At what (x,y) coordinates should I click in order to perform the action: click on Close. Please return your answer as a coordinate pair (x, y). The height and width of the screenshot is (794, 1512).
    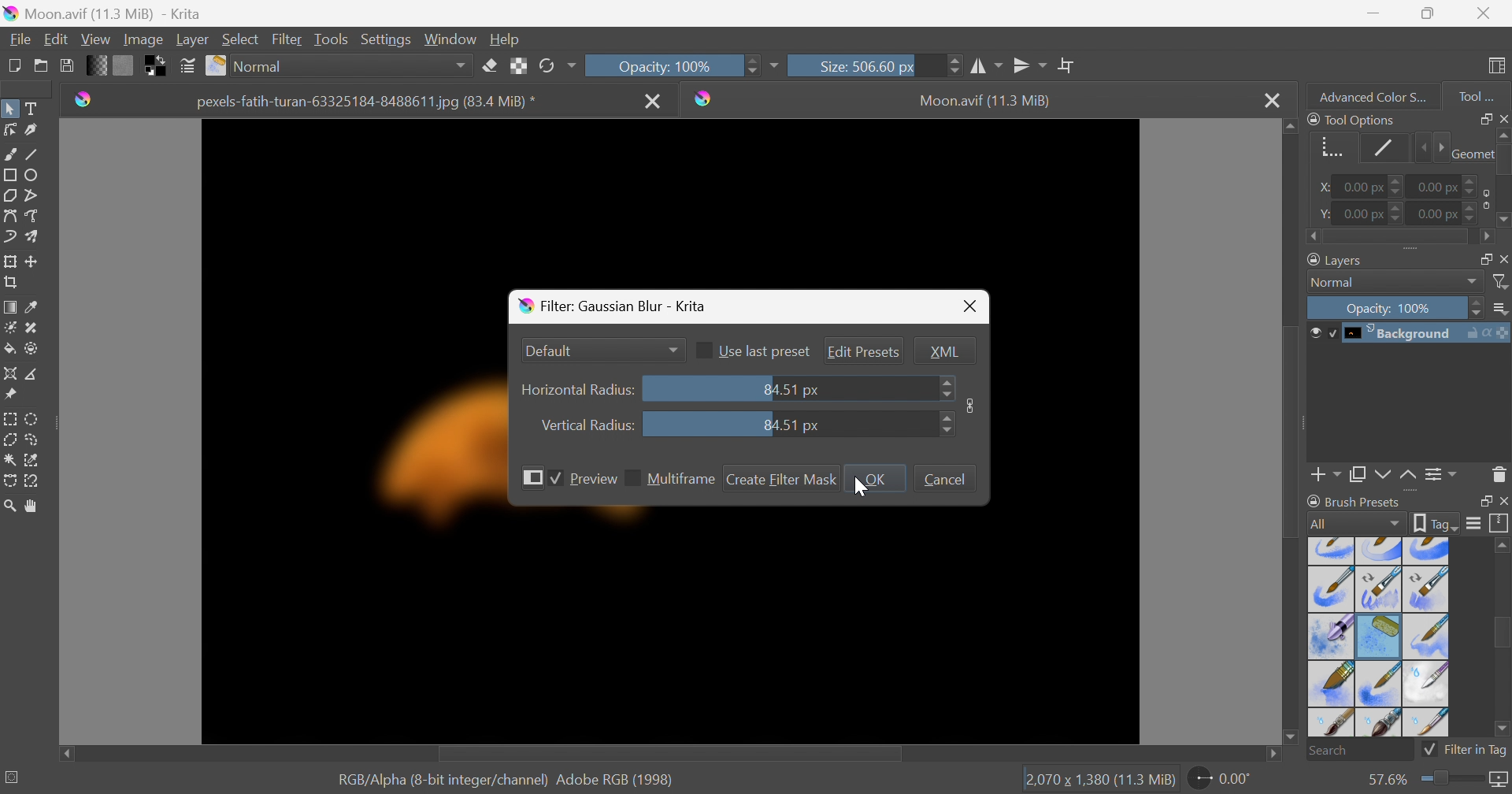
    Looking at the image, I should click on (1503, 118).